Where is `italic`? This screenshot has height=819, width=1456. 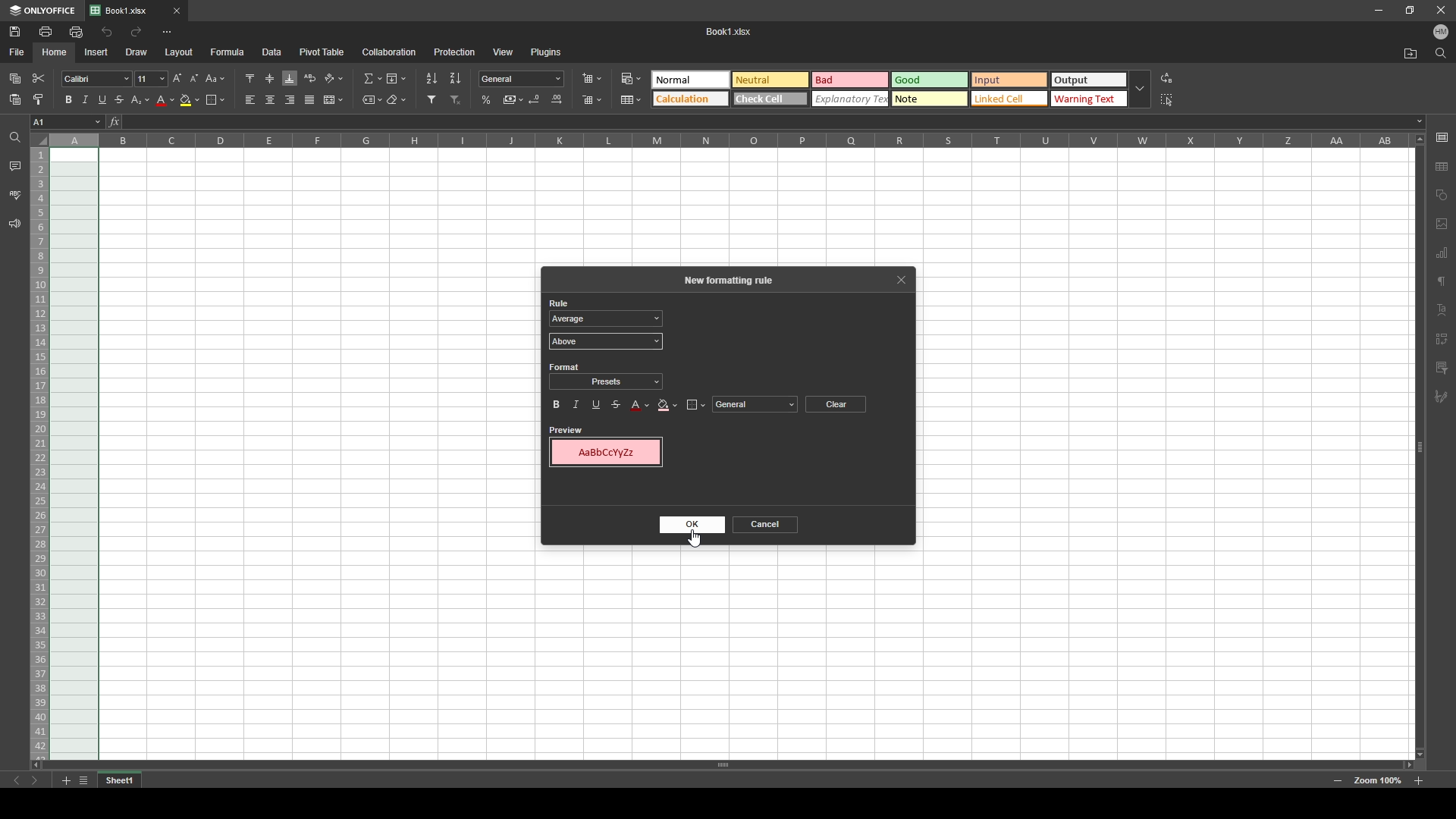
italic is located at coordinates (576, 404).